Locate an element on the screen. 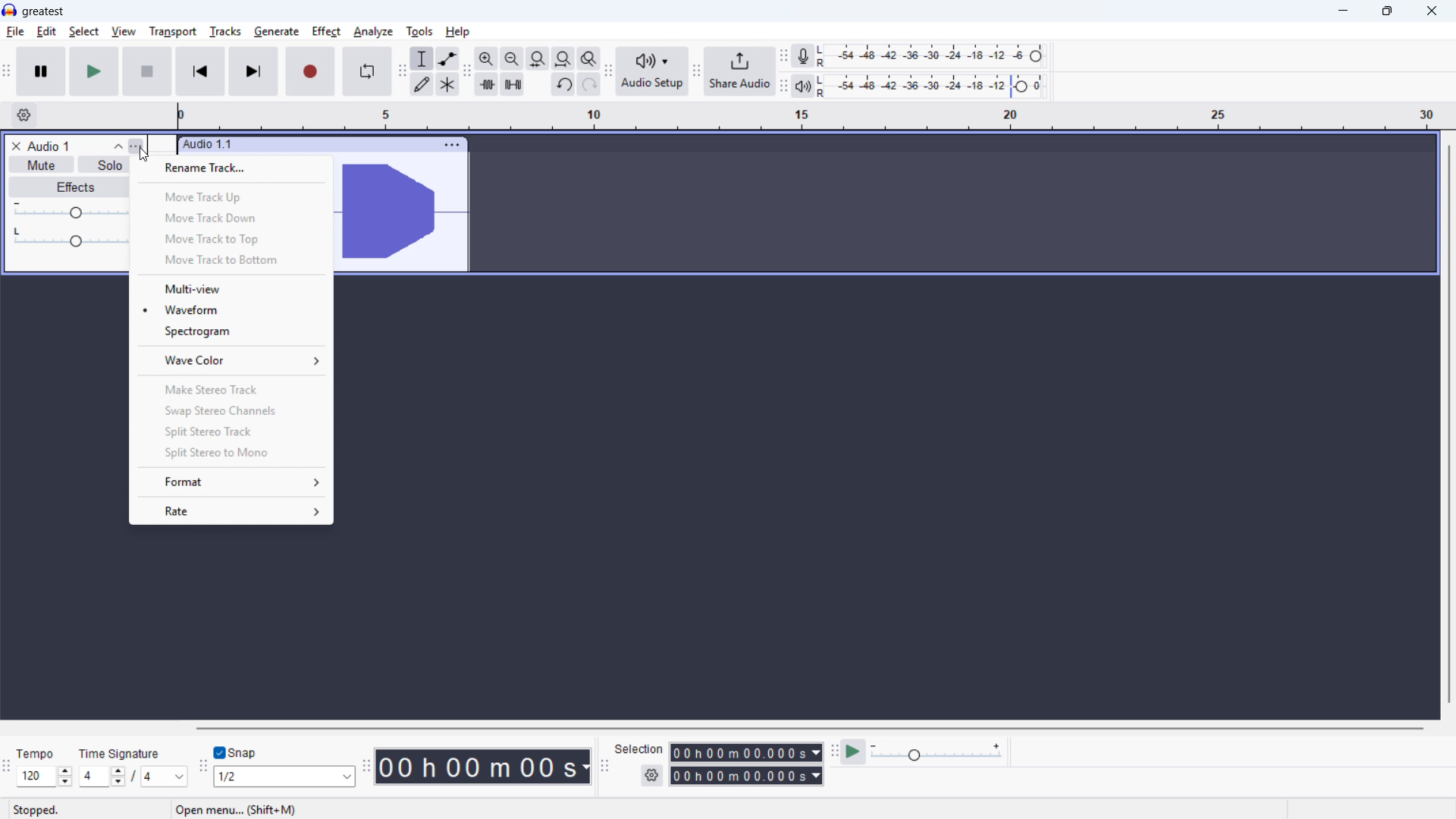 The width and height of the screenshot is (1456, 819). Tools  is located at coordinates (419, 32).